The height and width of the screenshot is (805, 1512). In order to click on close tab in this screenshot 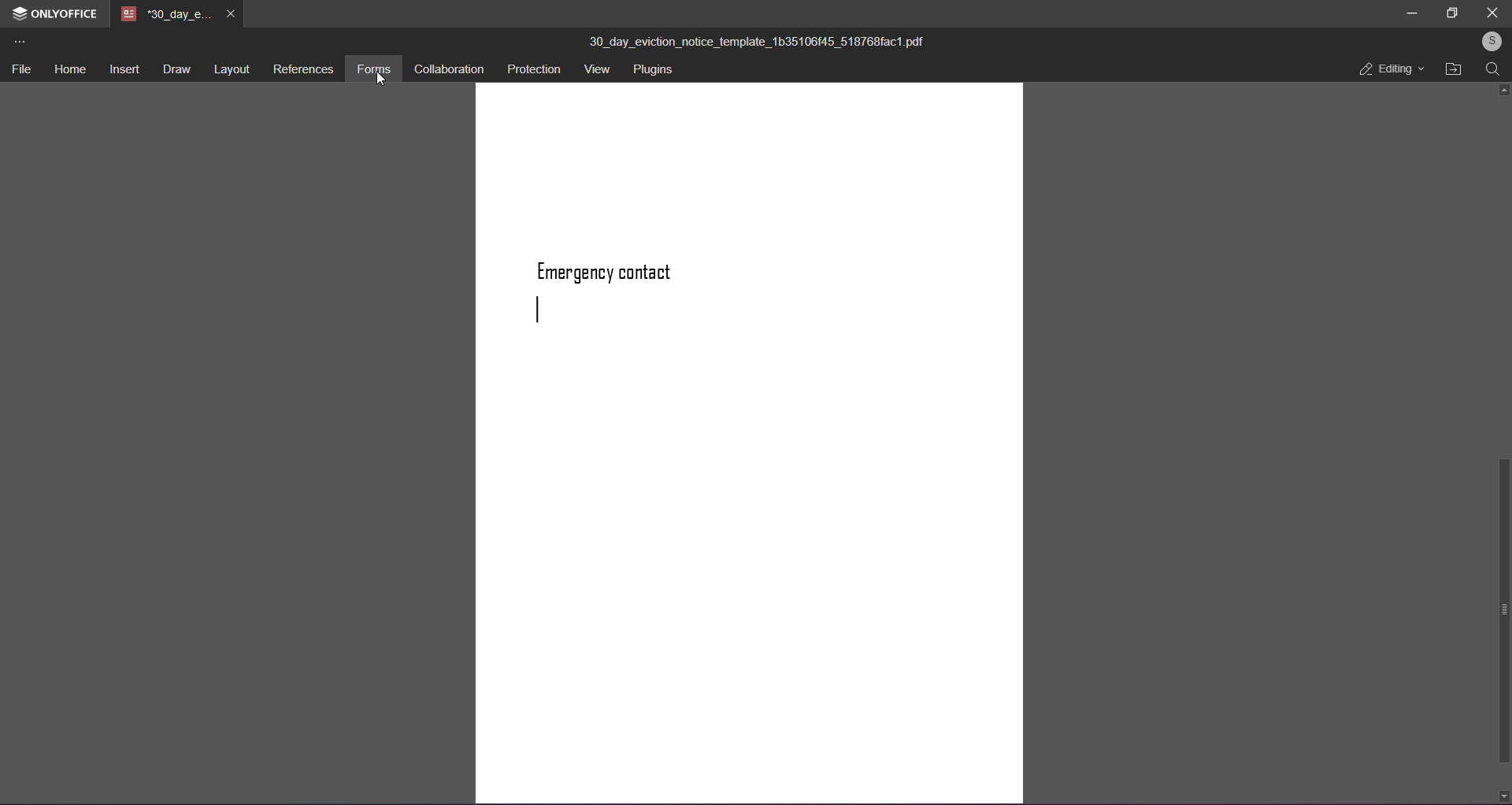, I will do `click(229, 15)`.